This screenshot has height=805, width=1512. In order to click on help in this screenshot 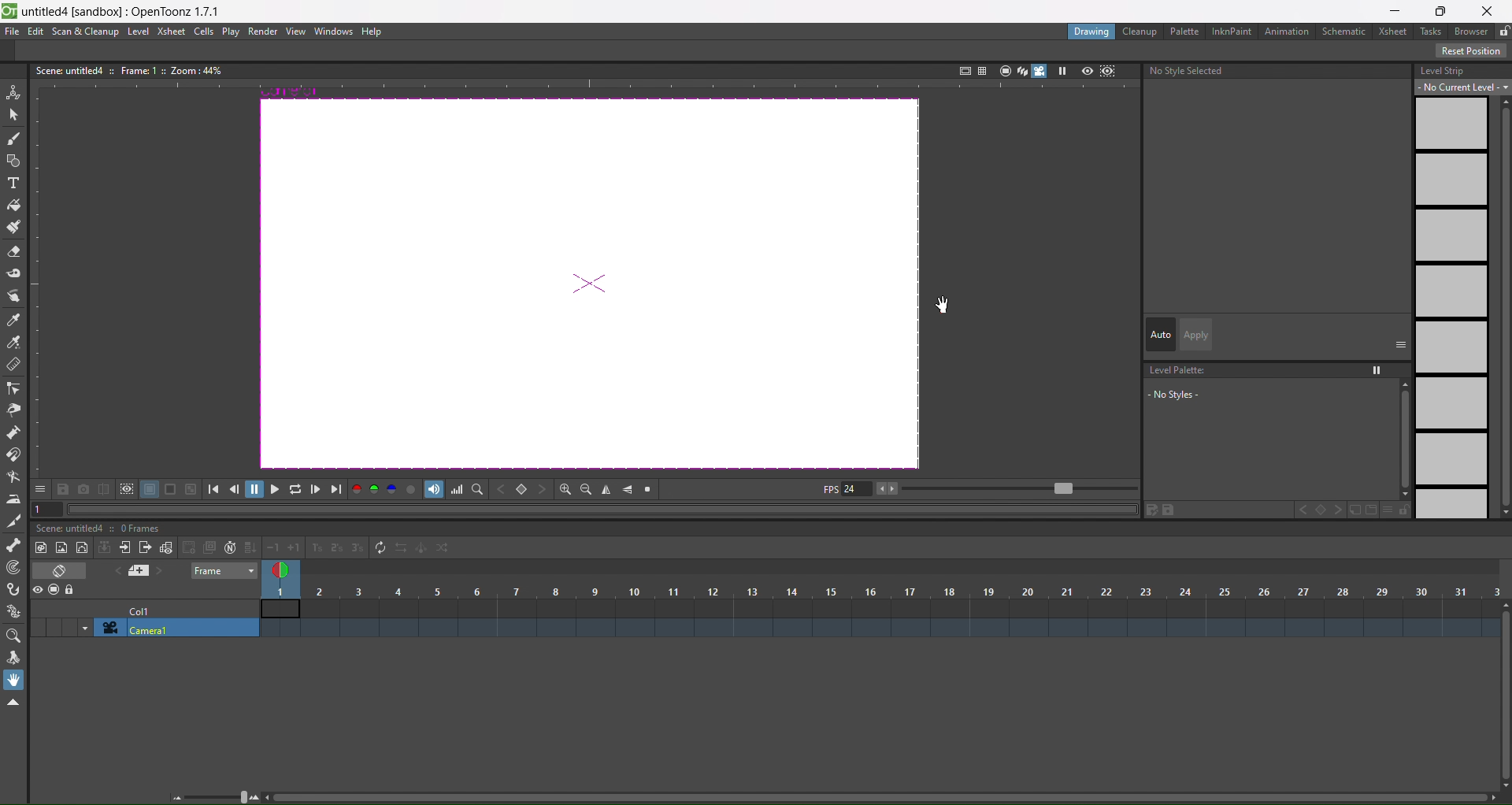, I will do `click(372, 32)`.